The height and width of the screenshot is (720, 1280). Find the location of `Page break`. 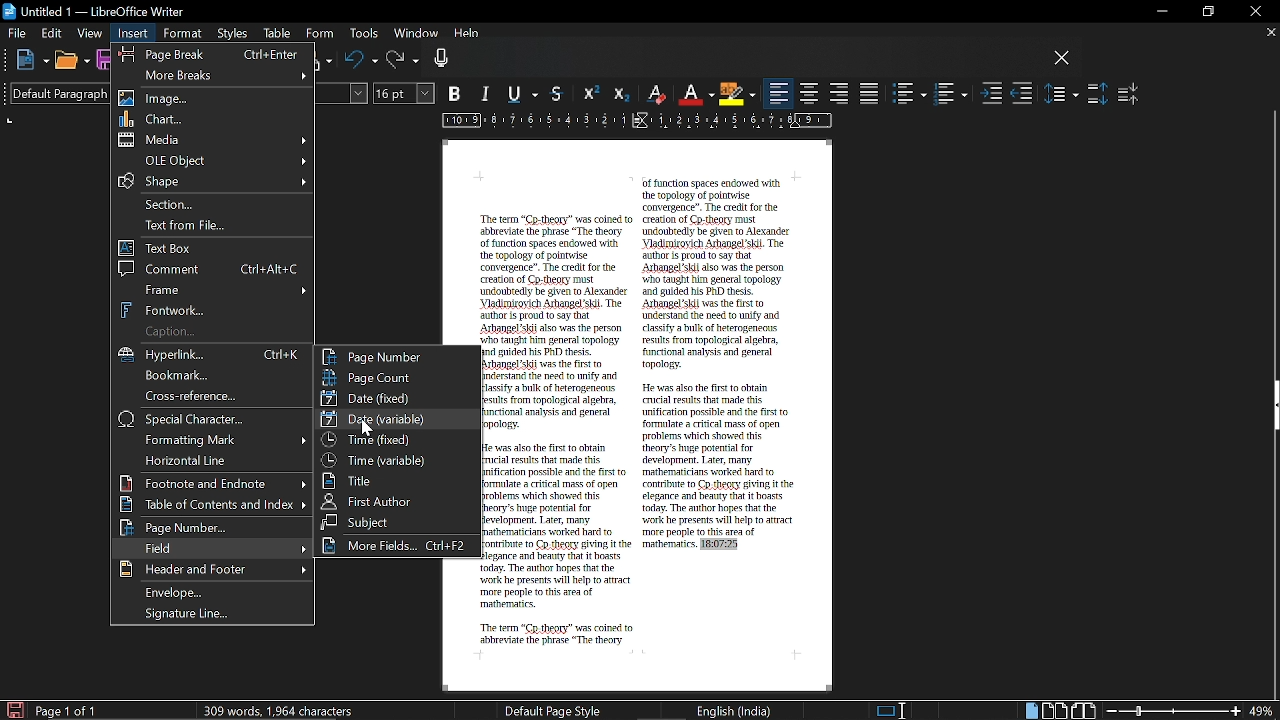

Page break is located at coordinates (210, 52).